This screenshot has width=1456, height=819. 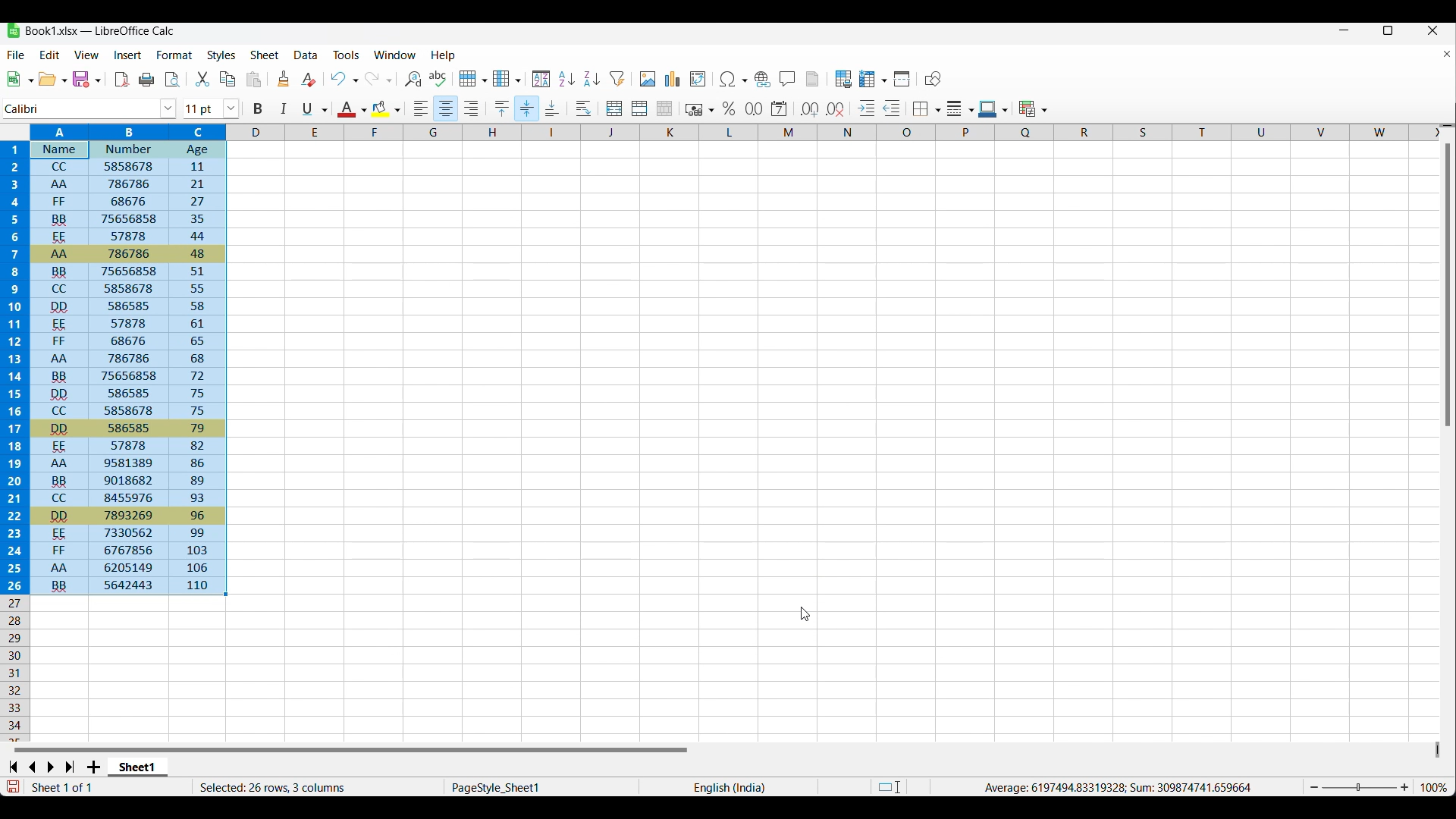 What do you see at coordinates (128, 55) in the screenshot?
I see `Insert menu` at bounding box center [128, 55].